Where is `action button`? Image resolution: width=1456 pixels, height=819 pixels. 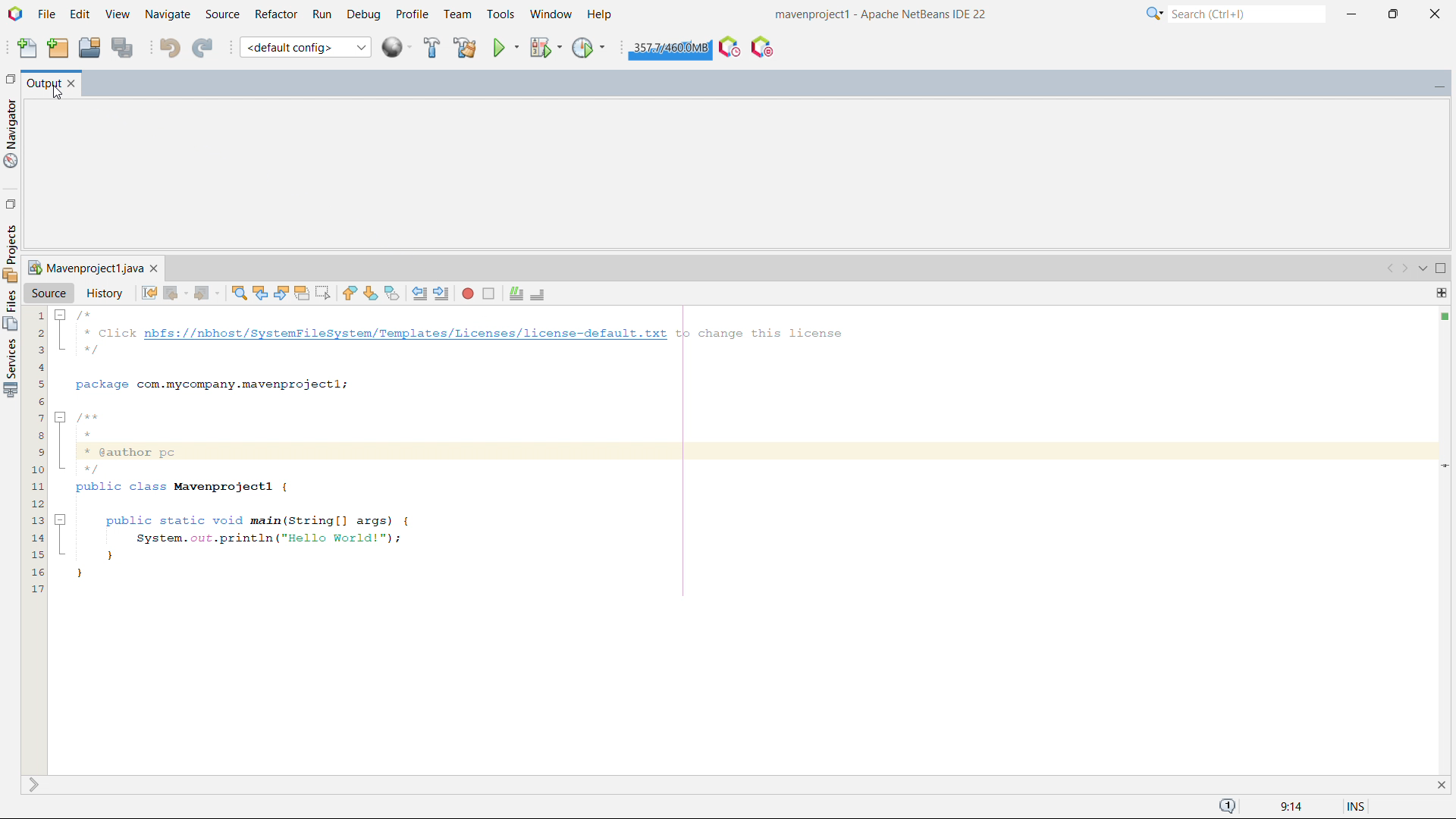 action button is located at coordinates (1445, 319).